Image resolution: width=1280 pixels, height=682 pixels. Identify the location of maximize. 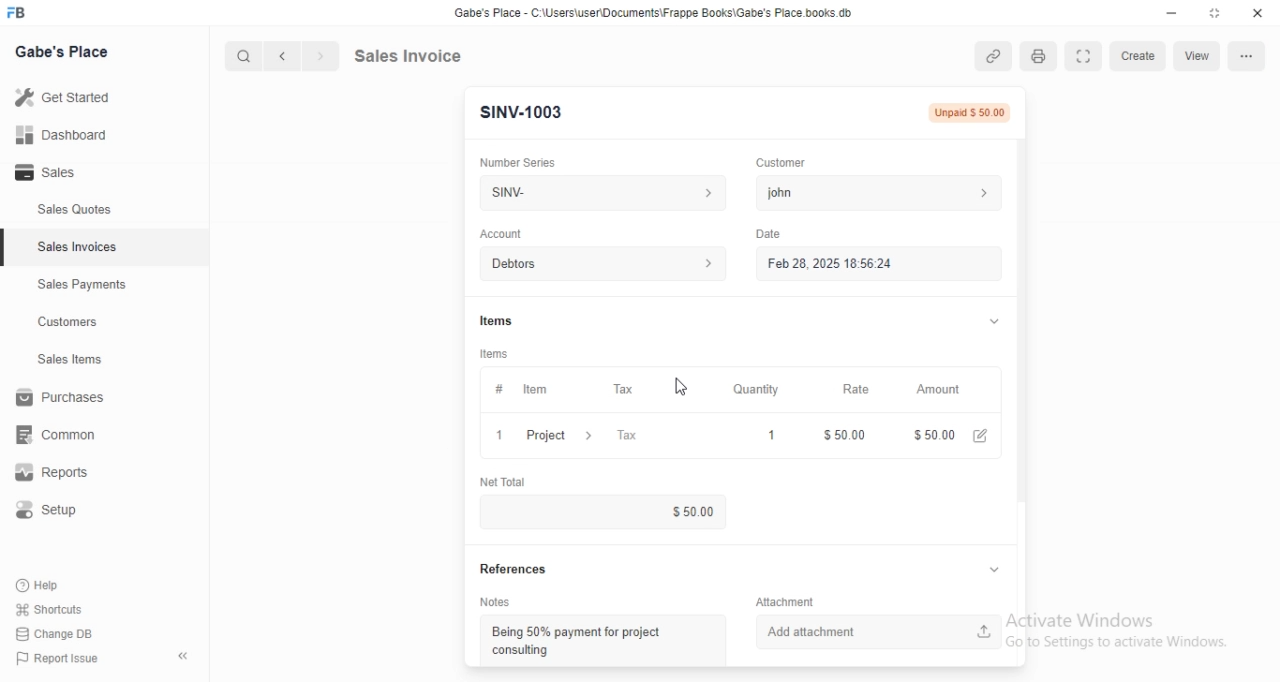
(1216, 15).